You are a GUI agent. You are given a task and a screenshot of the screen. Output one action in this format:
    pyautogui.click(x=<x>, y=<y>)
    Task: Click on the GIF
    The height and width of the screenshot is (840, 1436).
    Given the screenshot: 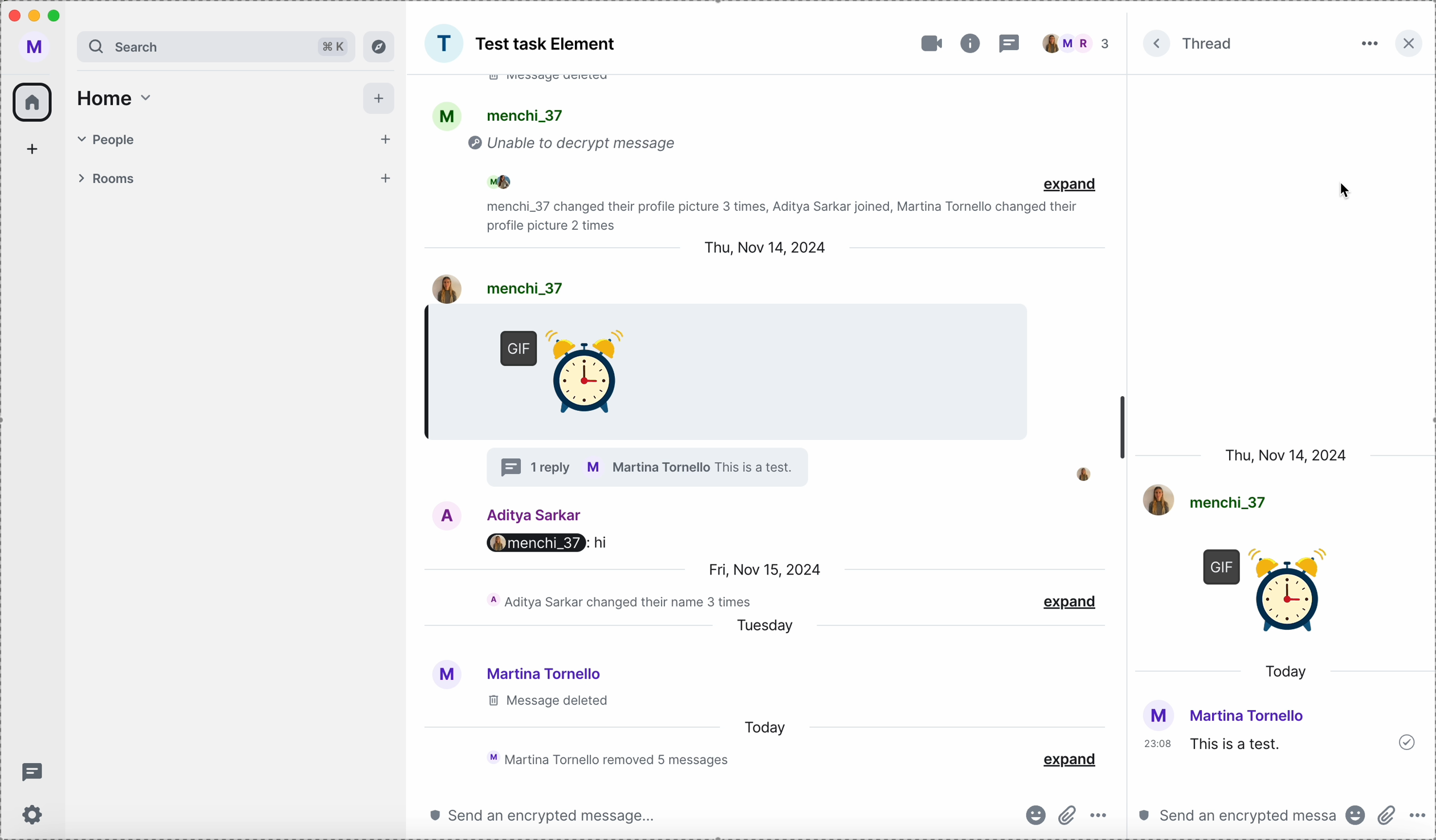 What is the action you would take?
    pyautogui.click(x=1270, y=597)
    